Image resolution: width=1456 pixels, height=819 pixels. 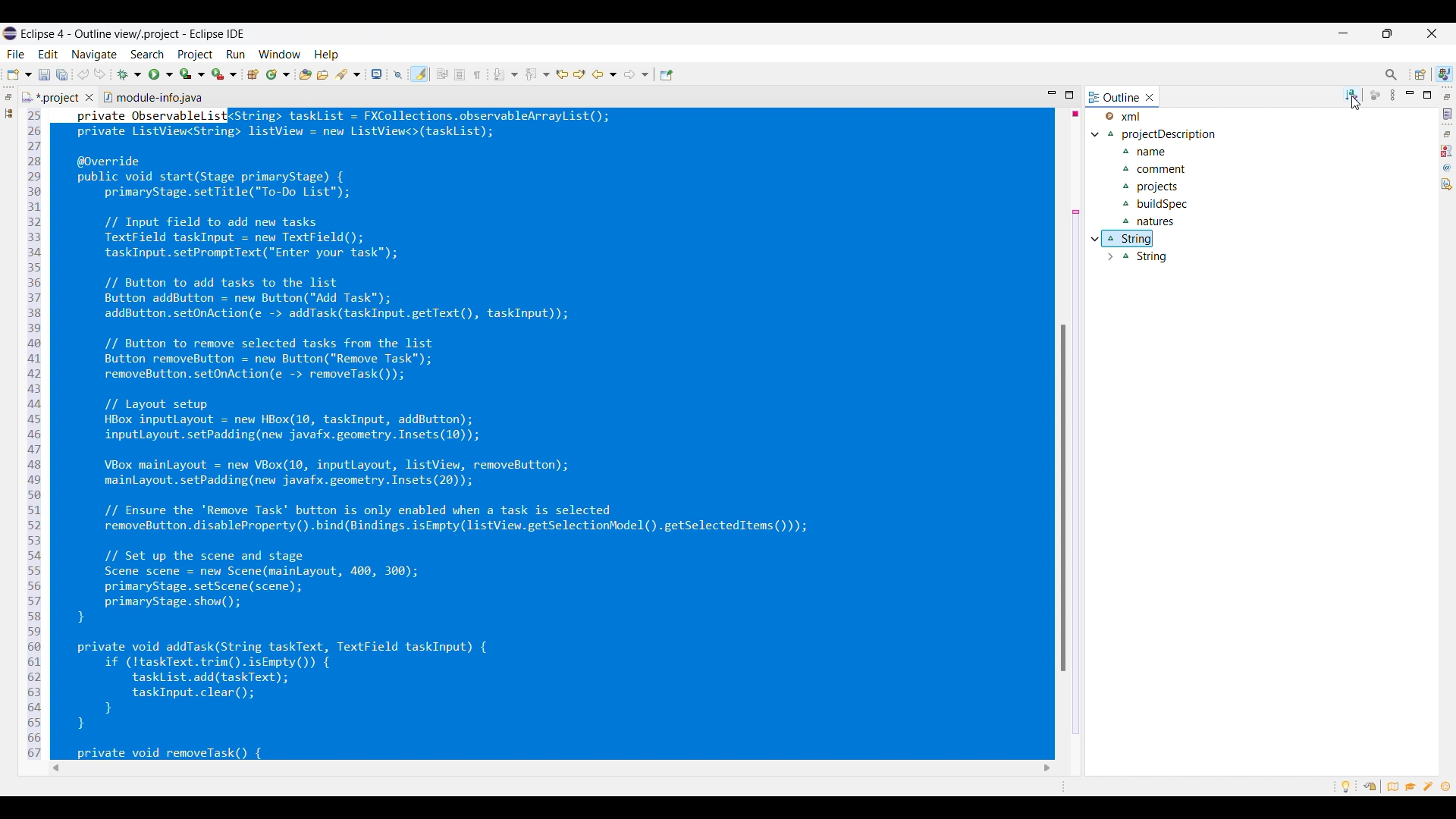 I want to click on Run options, so click(x=162, y=74).